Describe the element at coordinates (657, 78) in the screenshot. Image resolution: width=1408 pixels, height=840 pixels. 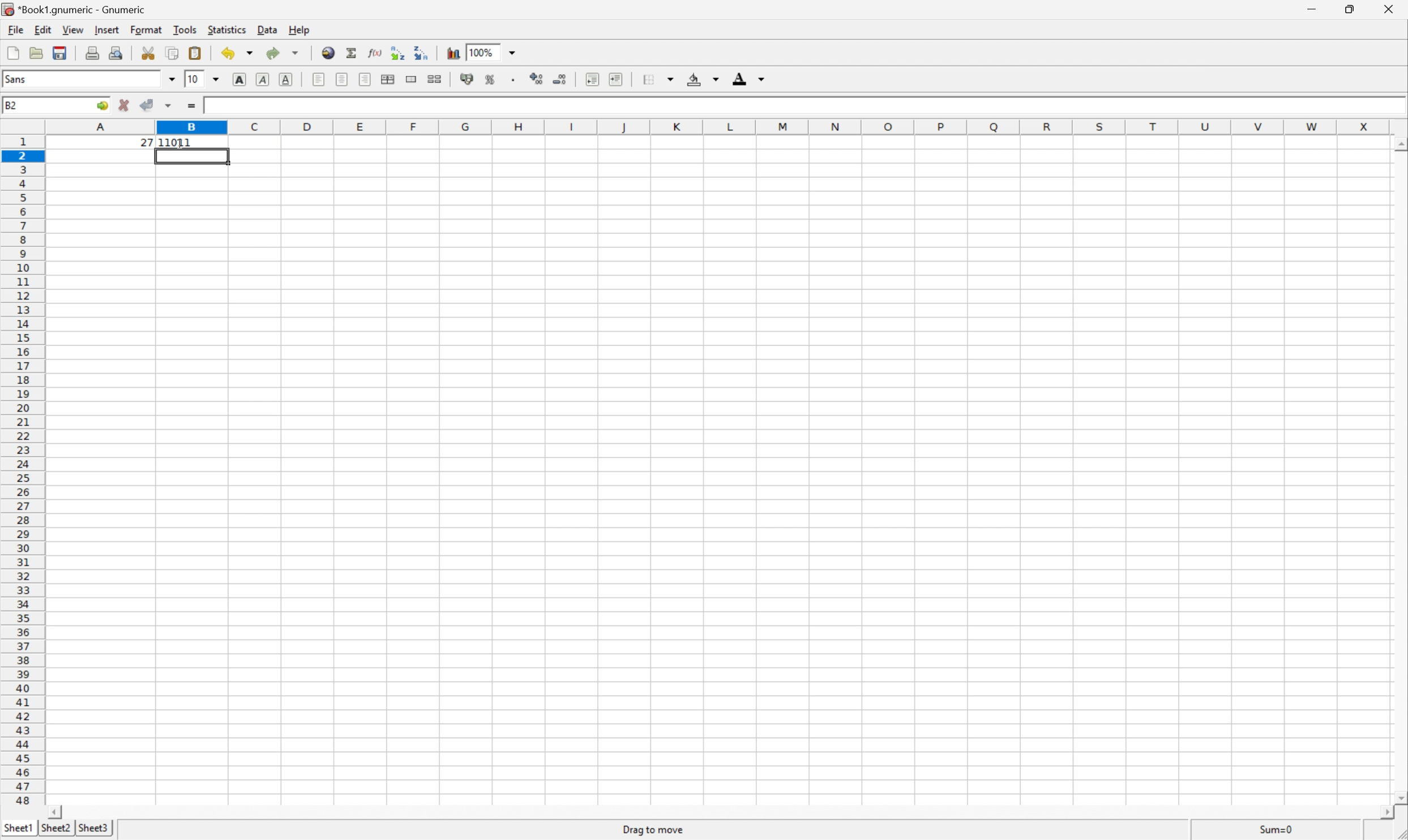
I see `Borders` at that location.